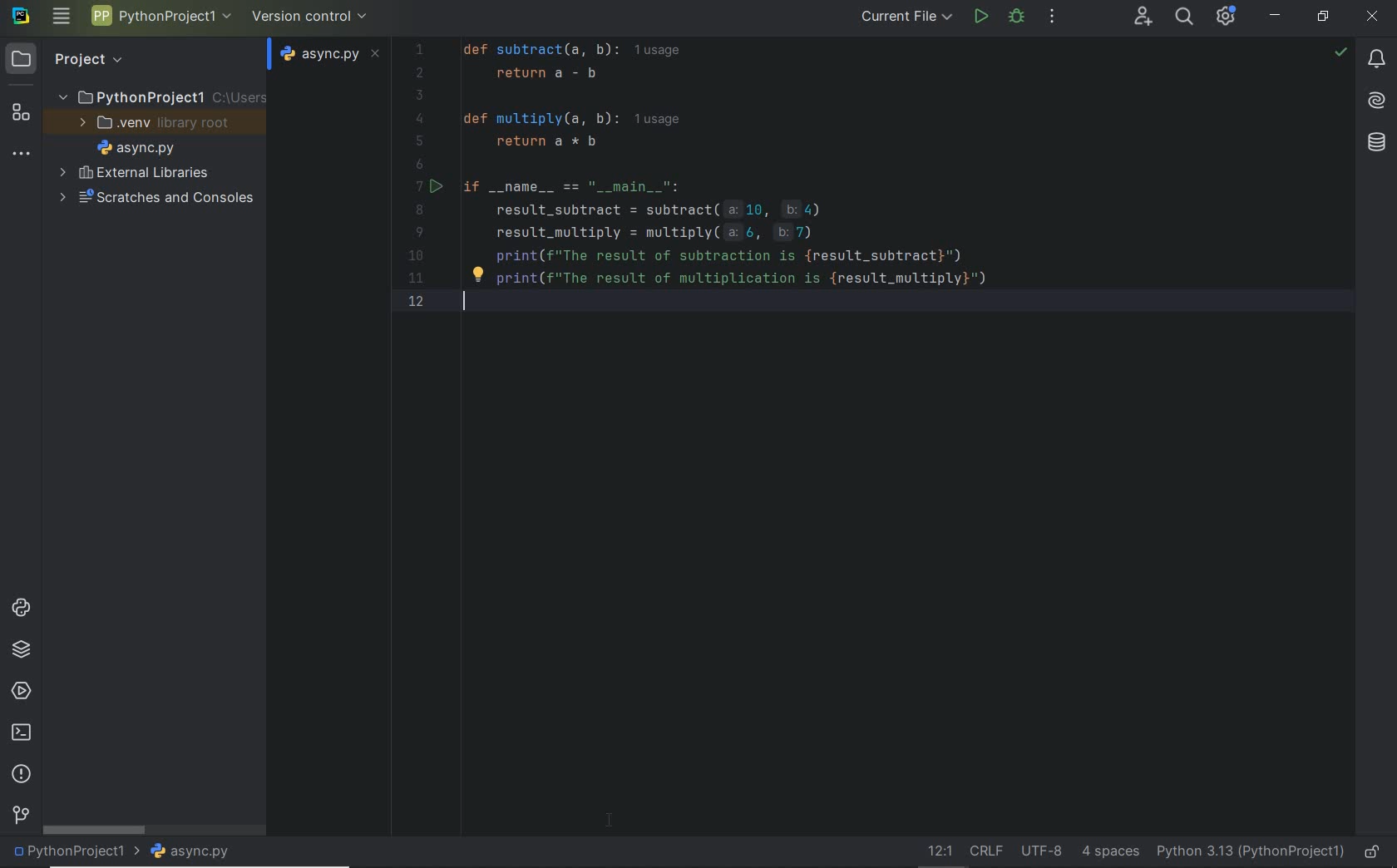 The image size is (1397, 868). What do you see at coordinates (20, 116) in the screenshot?
I see `structure` at bounding box center [20, 116].